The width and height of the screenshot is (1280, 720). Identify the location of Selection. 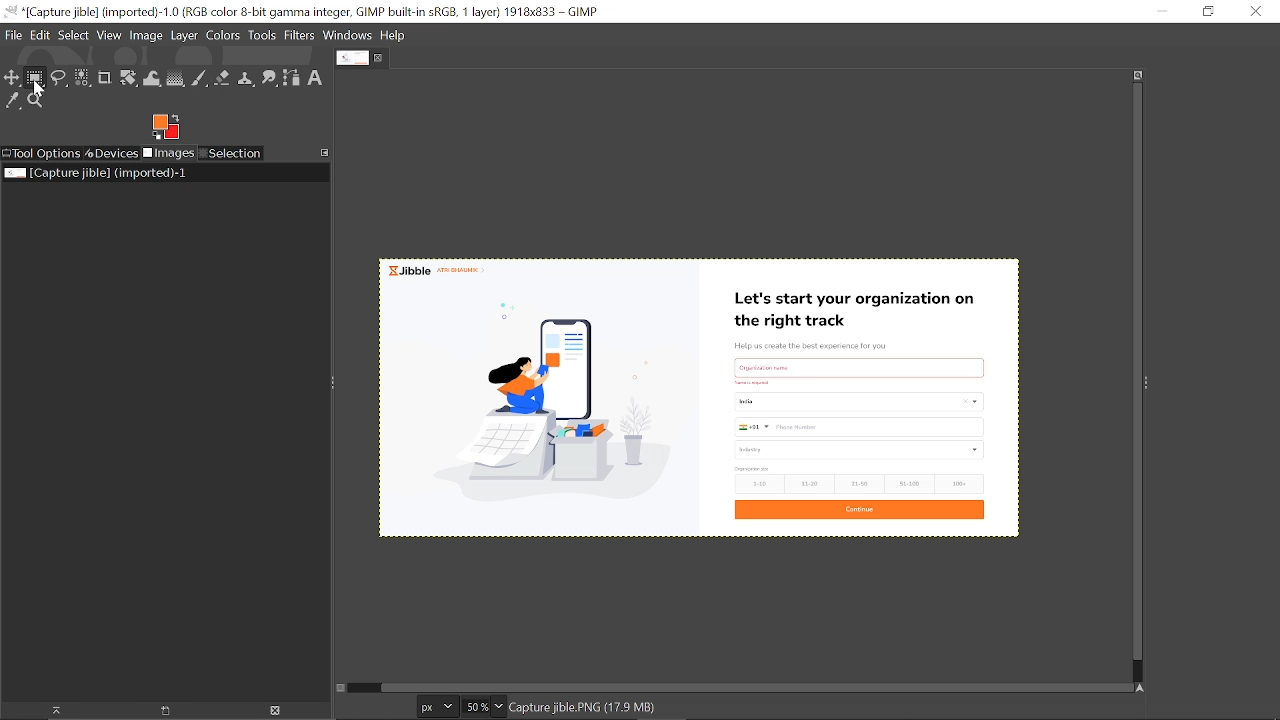
(230, 154).